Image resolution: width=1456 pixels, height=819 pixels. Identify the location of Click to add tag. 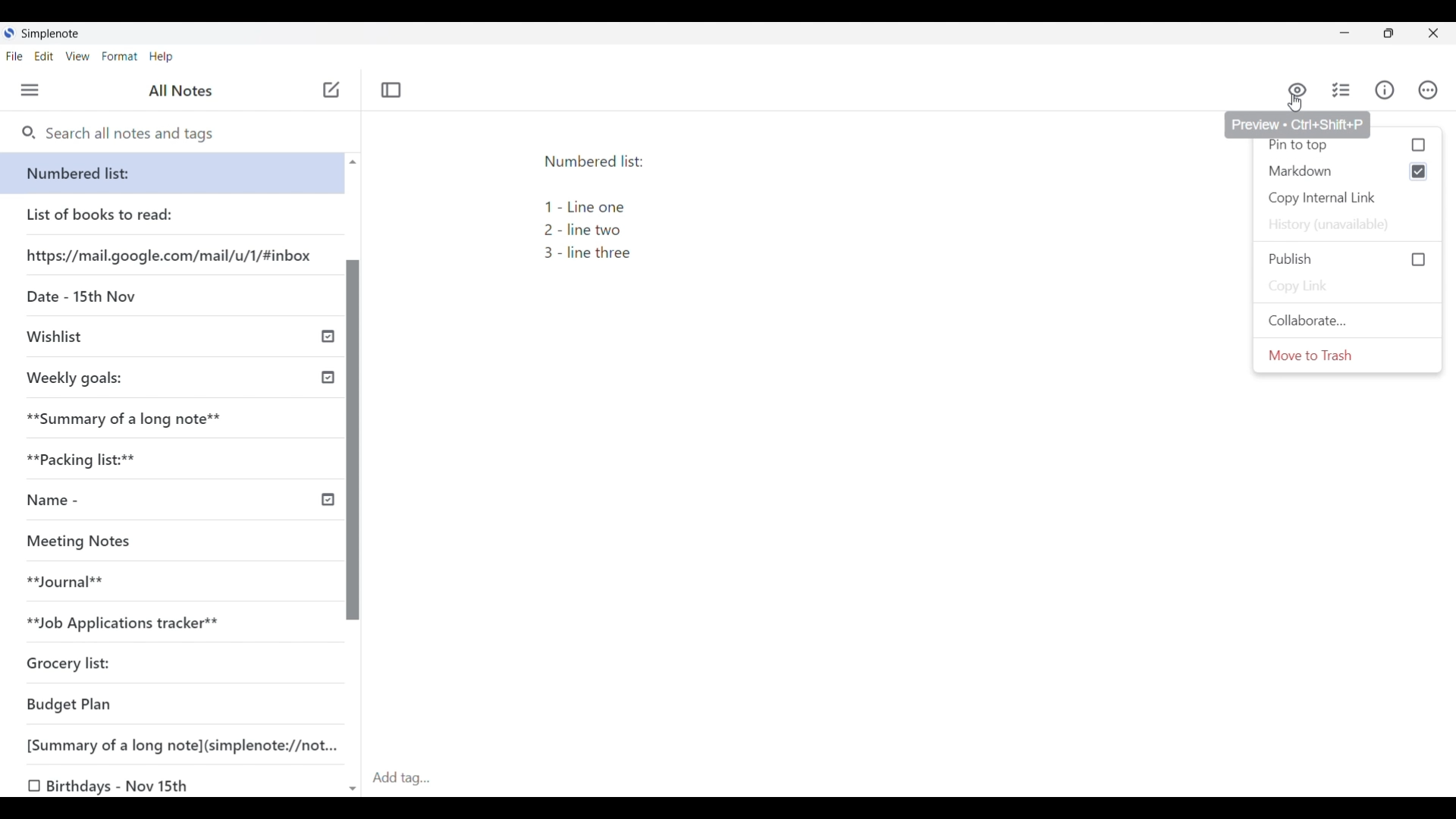
(911, 779).